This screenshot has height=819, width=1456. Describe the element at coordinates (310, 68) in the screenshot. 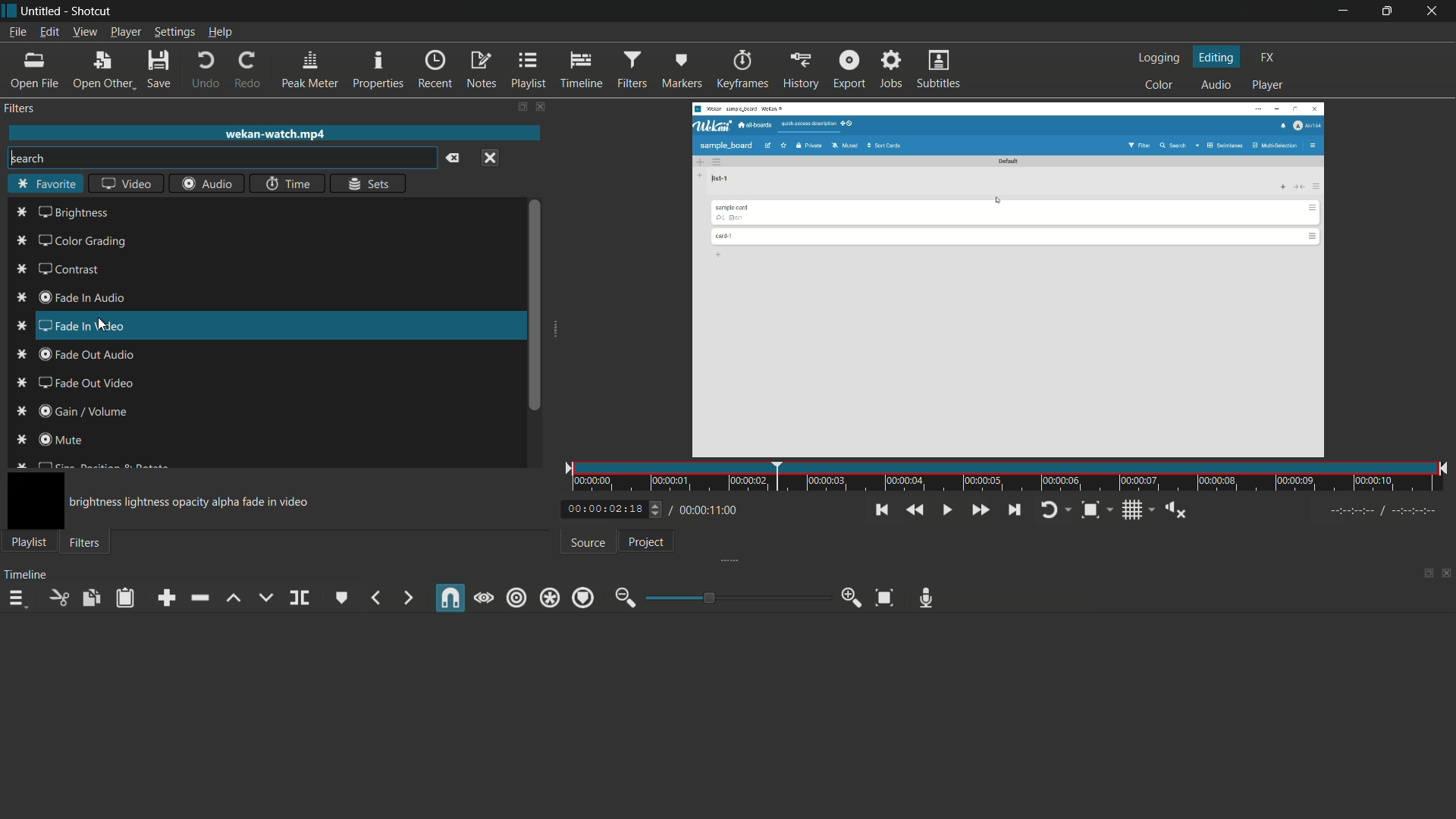

I see `peak meter` at that location.